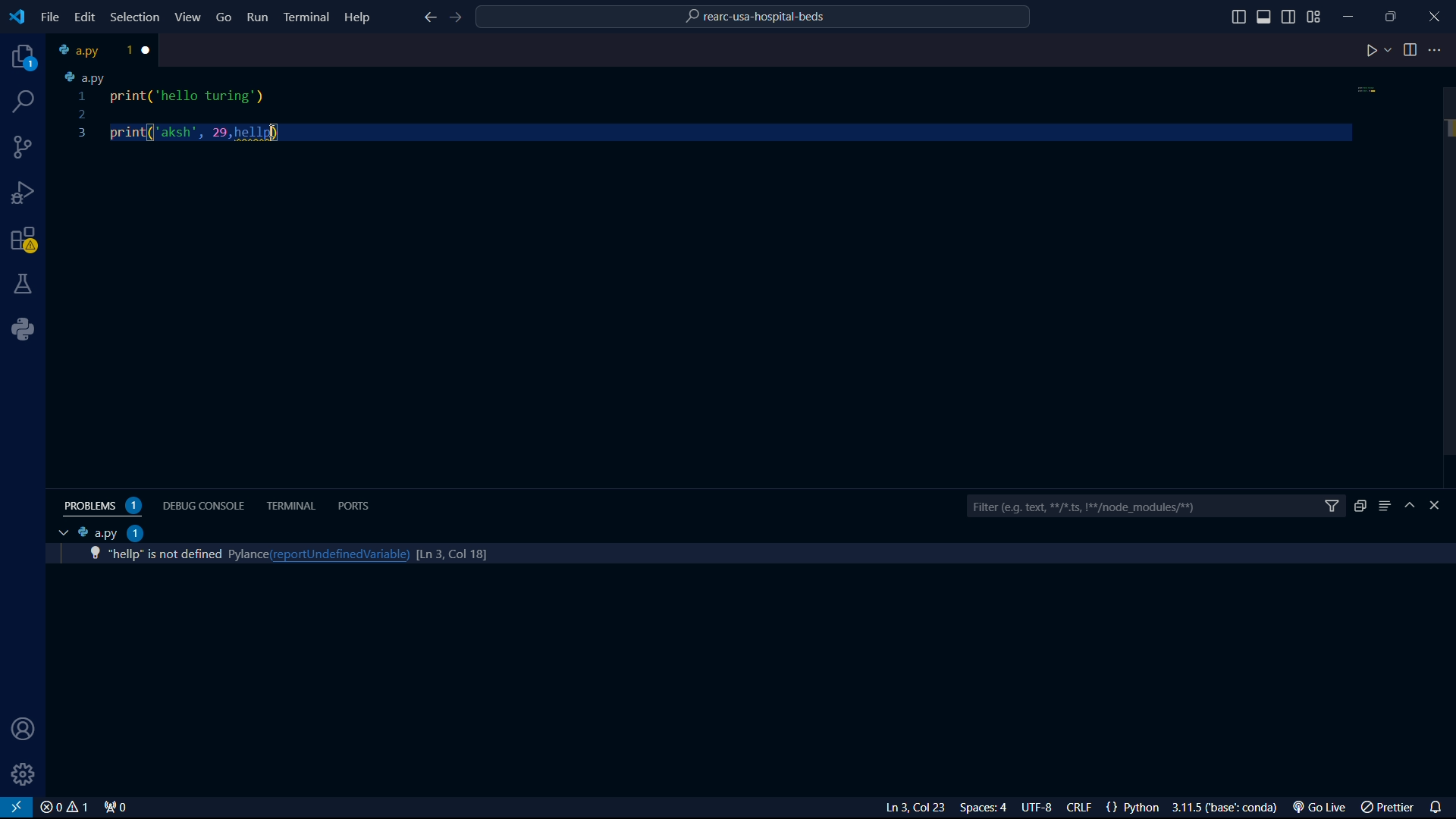  Describe the element at coordinates (15, 15) in the screenshot. I see `VS Code logo` at that location.